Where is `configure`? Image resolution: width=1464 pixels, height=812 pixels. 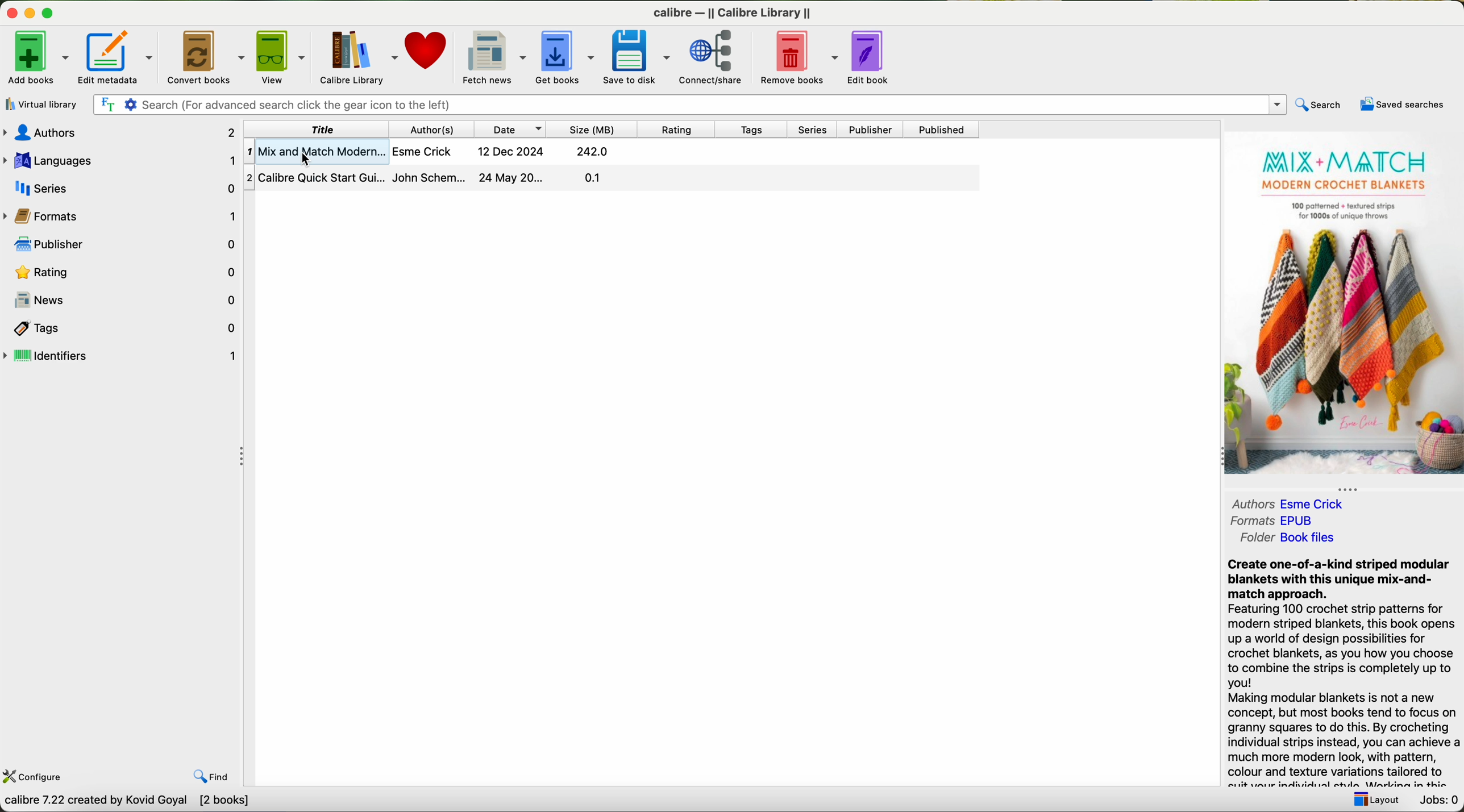
configure is located at coordinates (33, 777).